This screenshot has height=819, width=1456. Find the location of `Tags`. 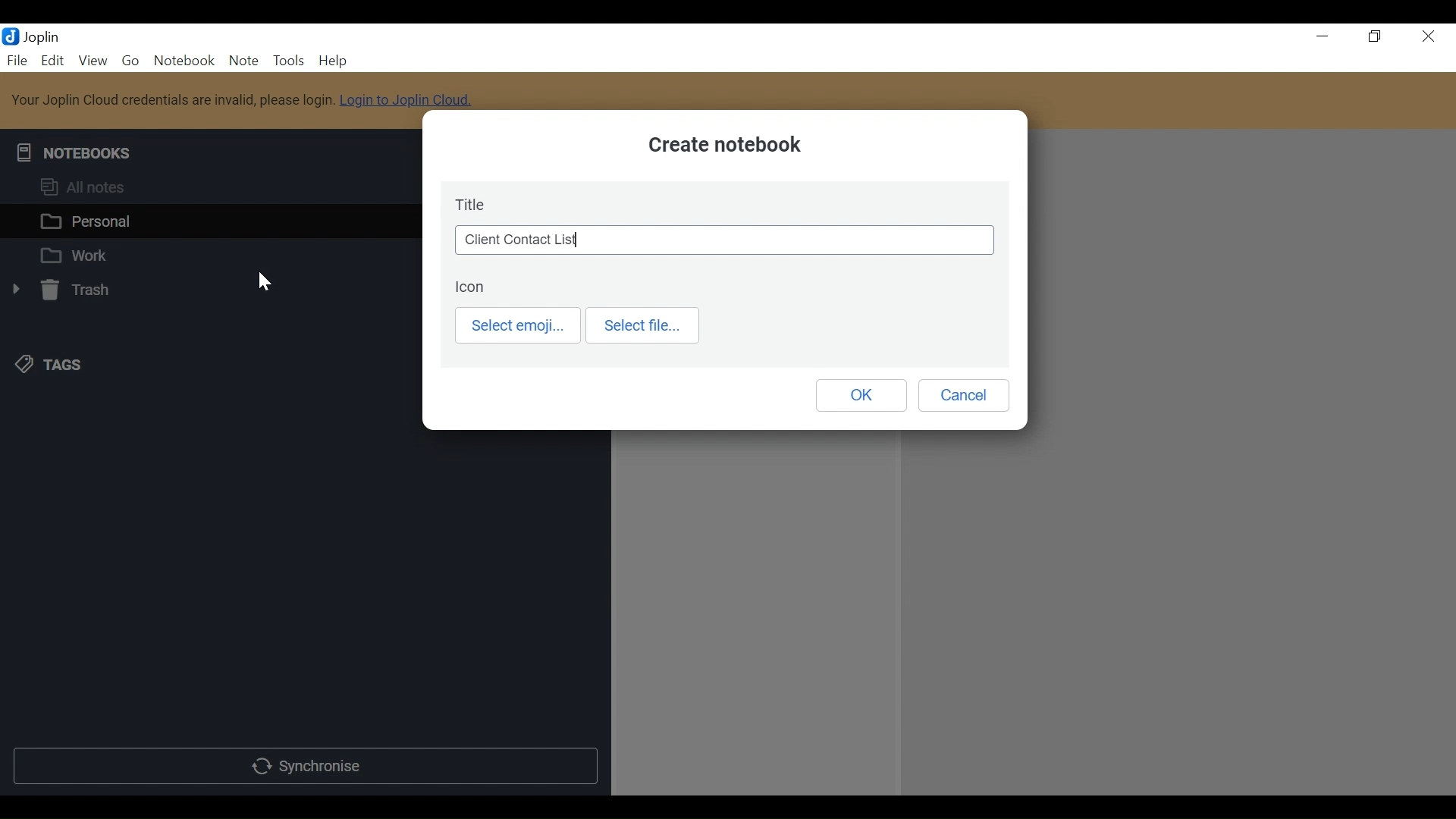

Tags is located at coordinates (46, 365).